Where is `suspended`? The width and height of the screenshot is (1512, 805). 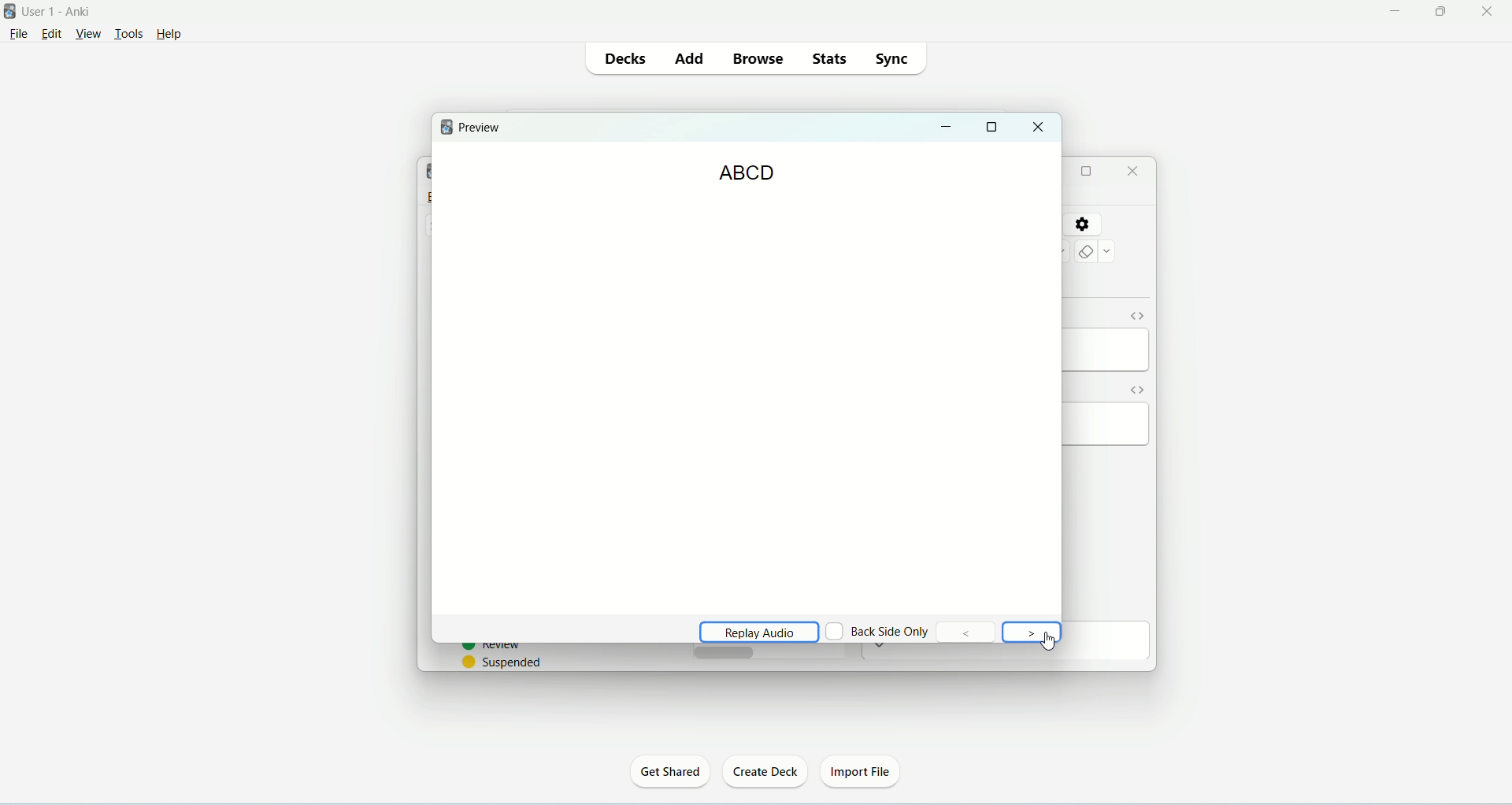 suspended is located at coordinates (503, 662).